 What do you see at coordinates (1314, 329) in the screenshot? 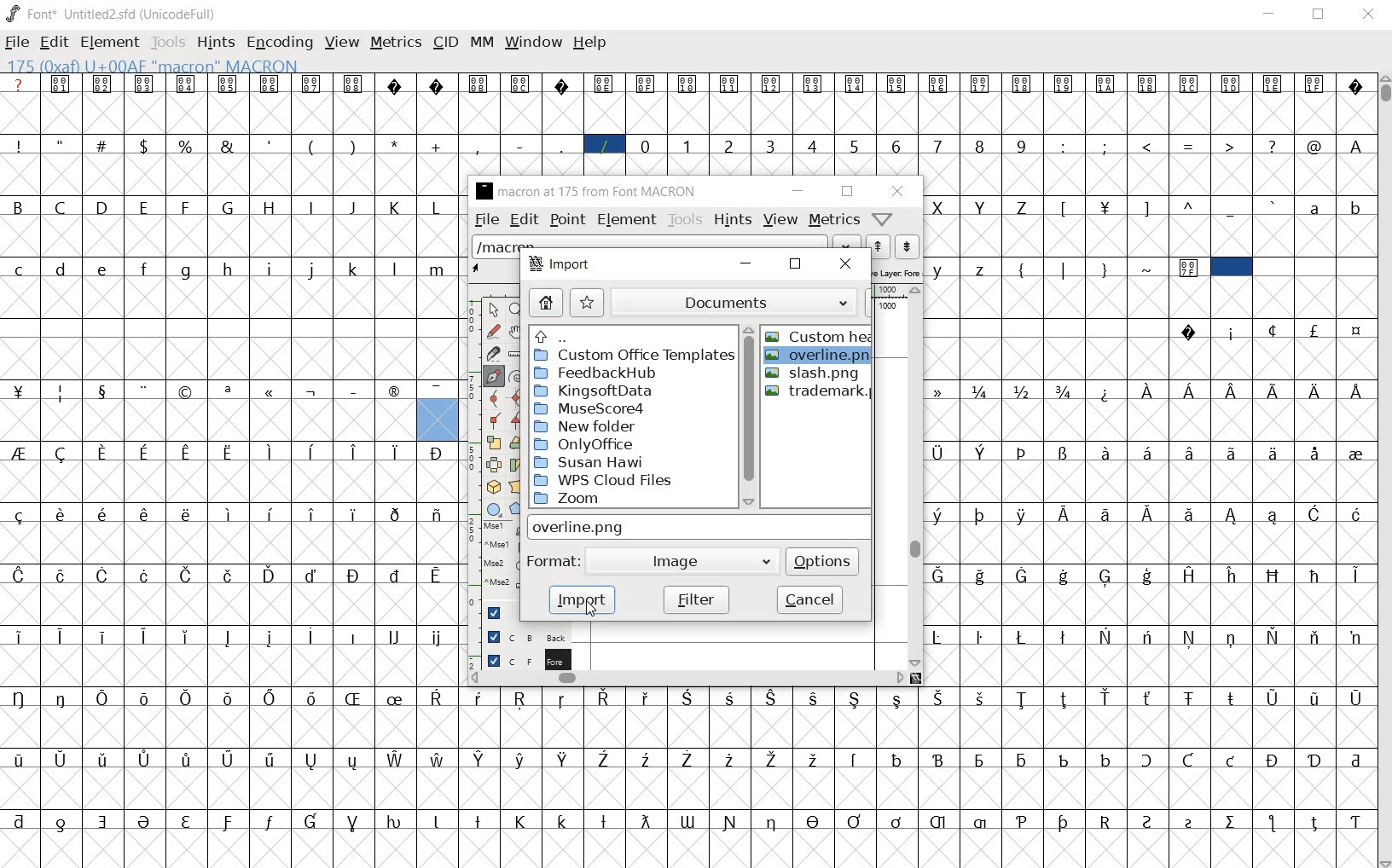
I see `Symbol` at bounding box center [1314, 329].